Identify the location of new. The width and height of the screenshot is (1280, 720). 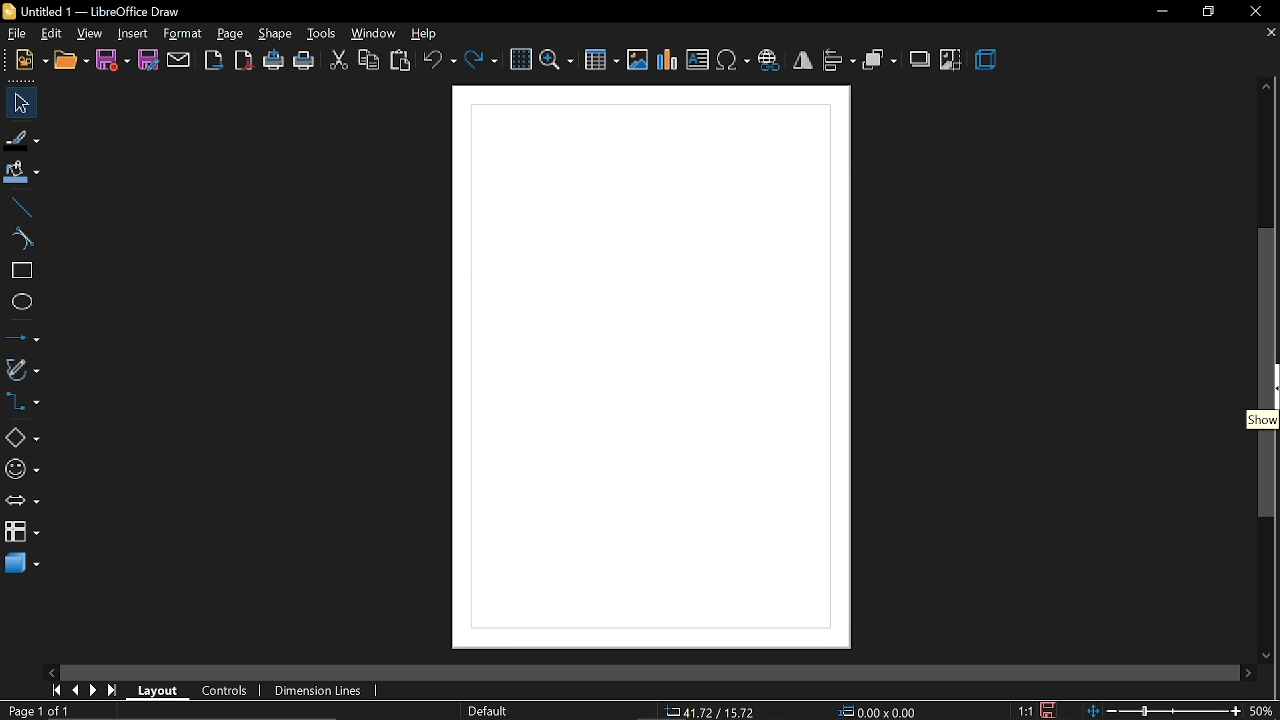
(29, 59).